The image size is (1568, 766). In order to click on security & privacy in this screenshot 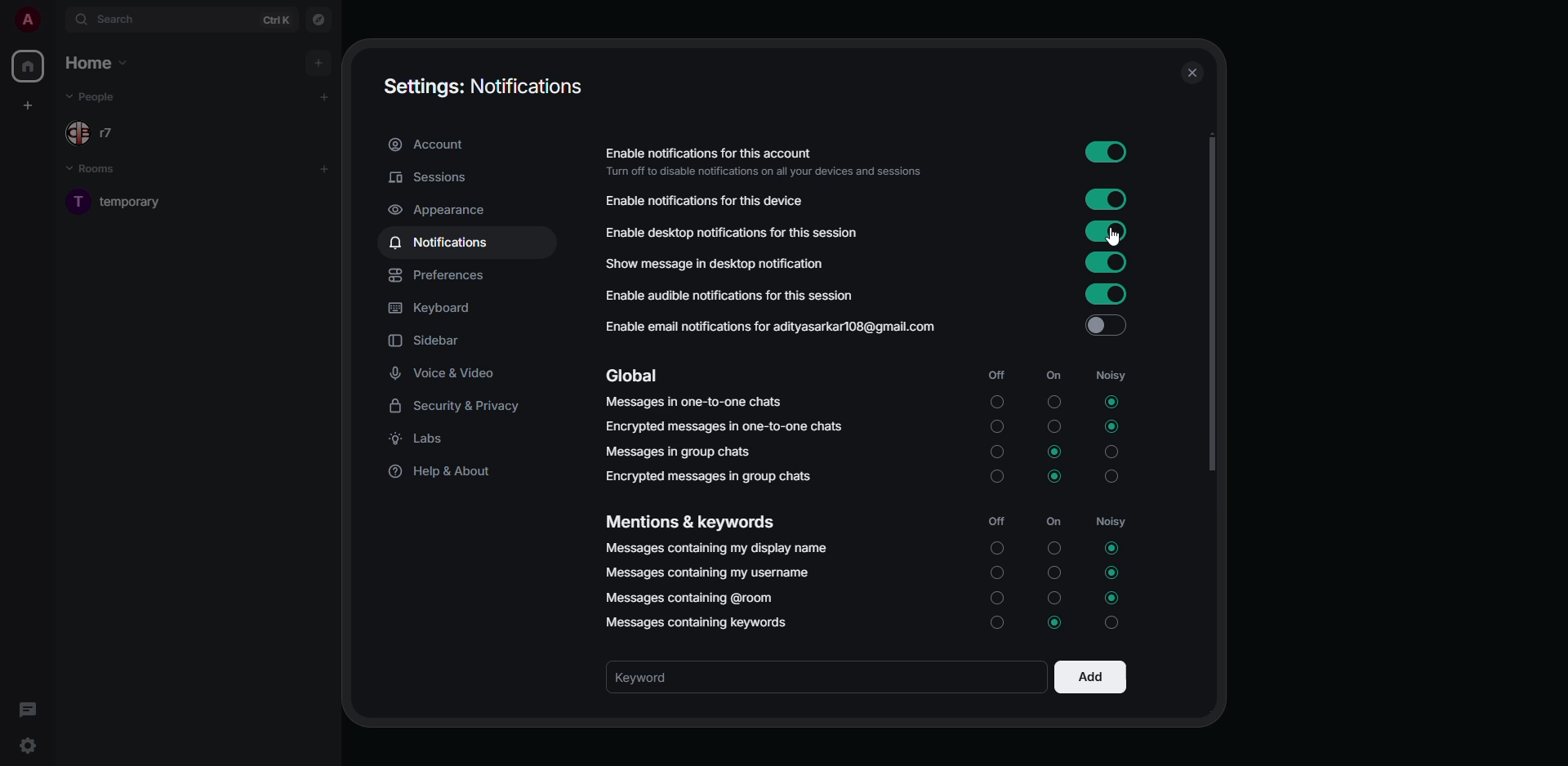, I will do `click(457, 405)`.